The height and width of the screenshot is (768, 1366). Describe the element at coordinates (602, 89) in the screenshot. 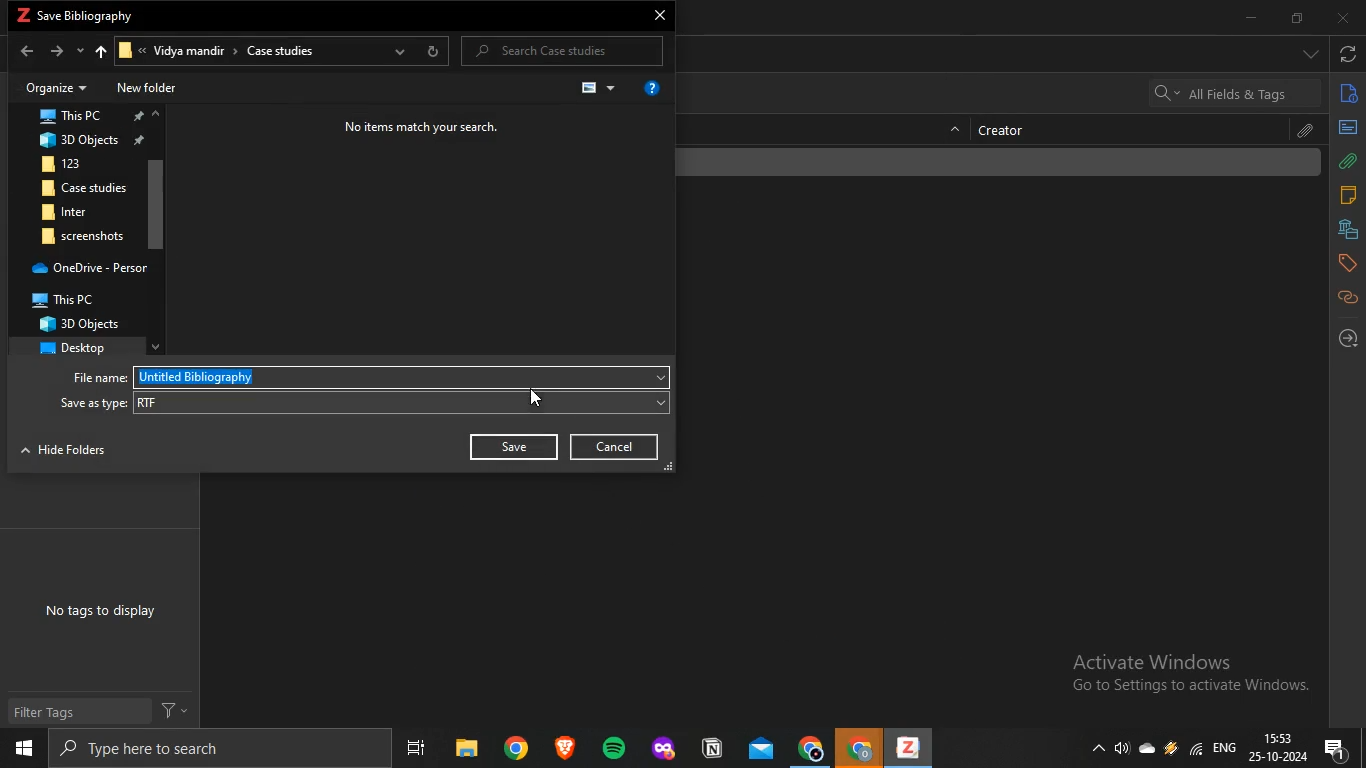

I see `change view` at that location.